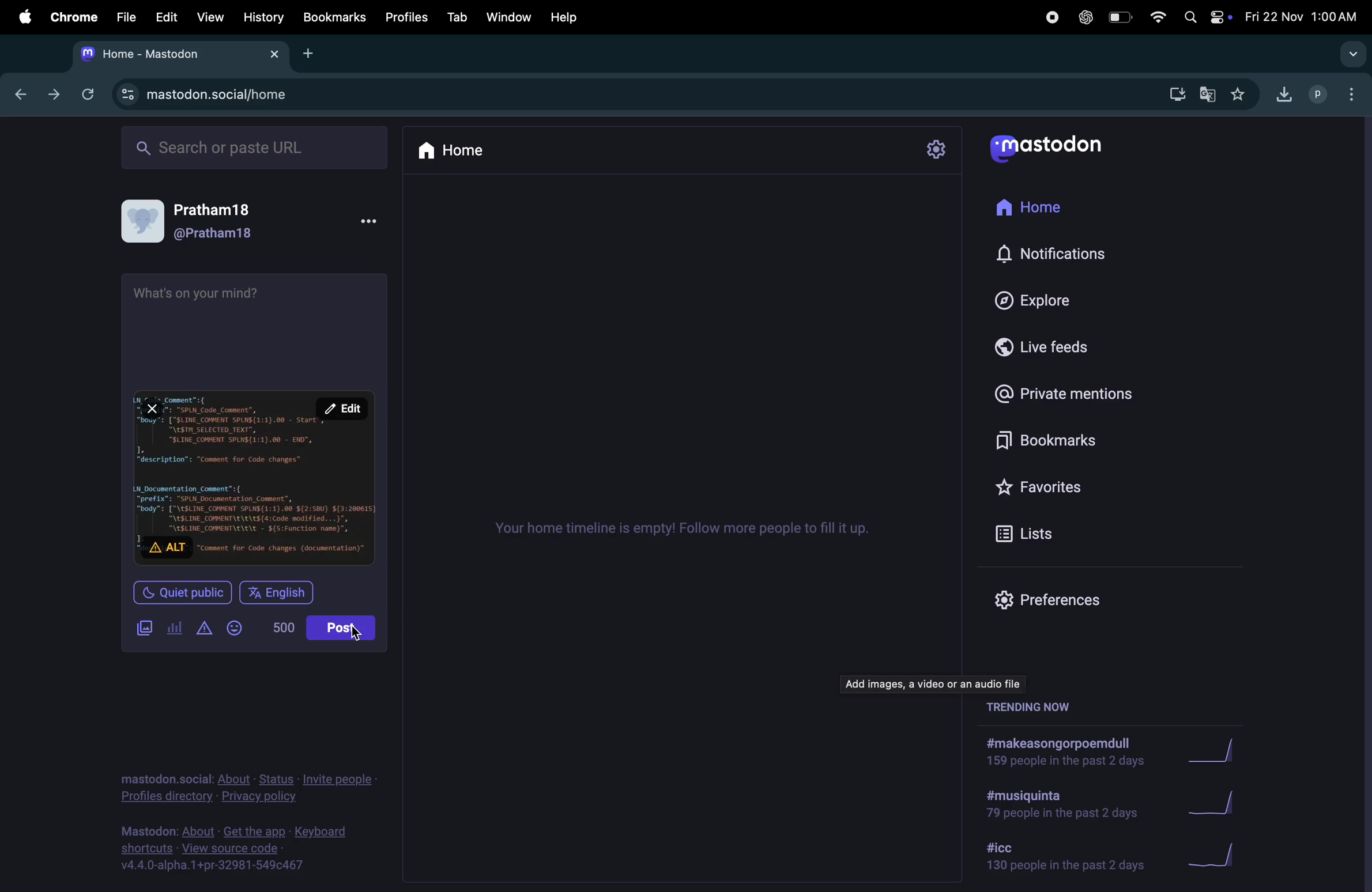  I want to click on post, so click(341, 626).